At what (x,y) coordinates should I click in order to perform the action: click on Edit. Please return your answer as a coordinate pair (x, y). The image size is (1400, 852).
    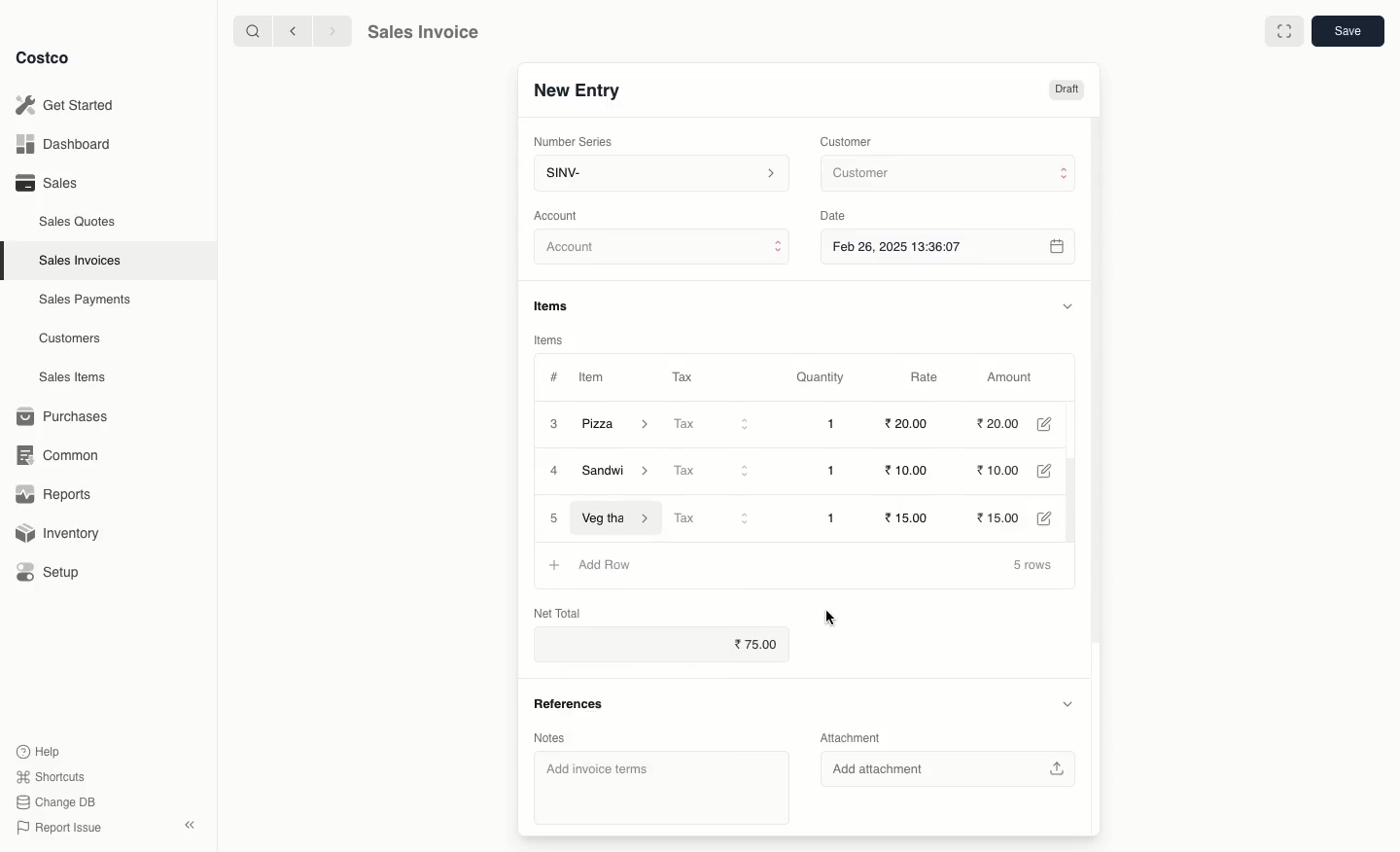
    Looking at the image, I should click on (1053, 517).